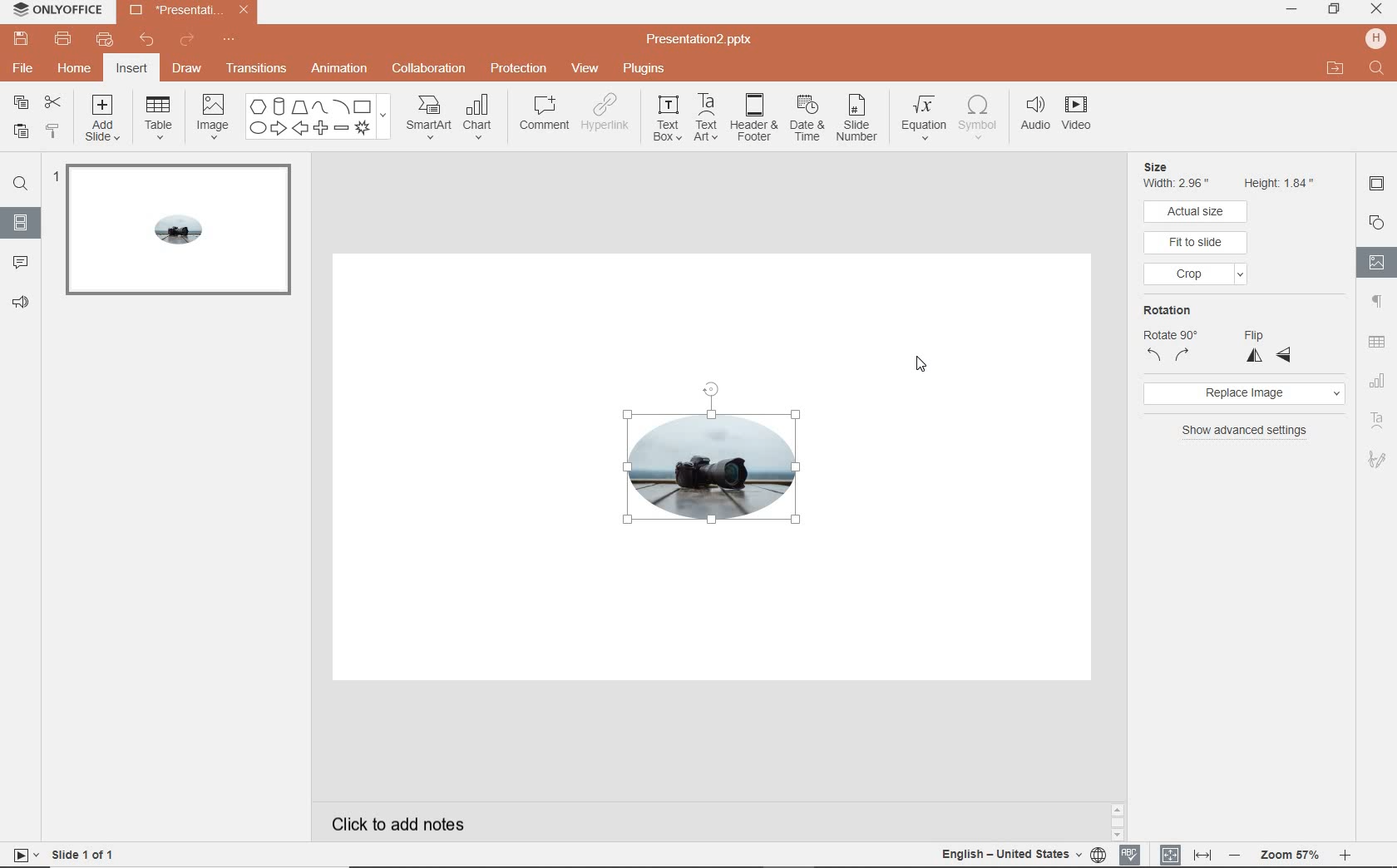  What do you see at coordinates (1376, 221) in the screenshot?
I see `shapes` at bounding box center [1376, 221].